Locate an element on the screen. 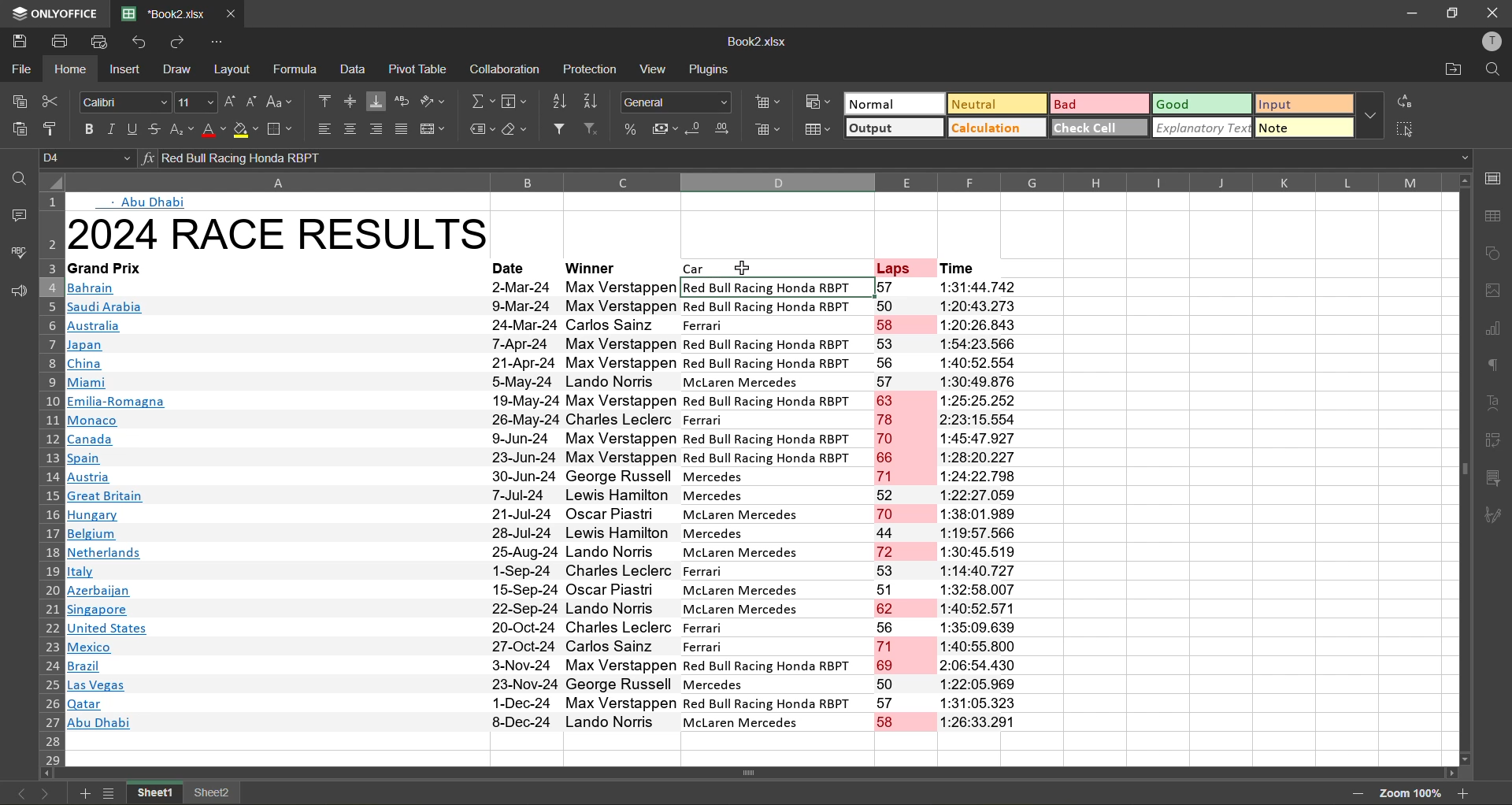 This screenshot has width=1512, height=805. insert cells is located at coordinates (766, 103).